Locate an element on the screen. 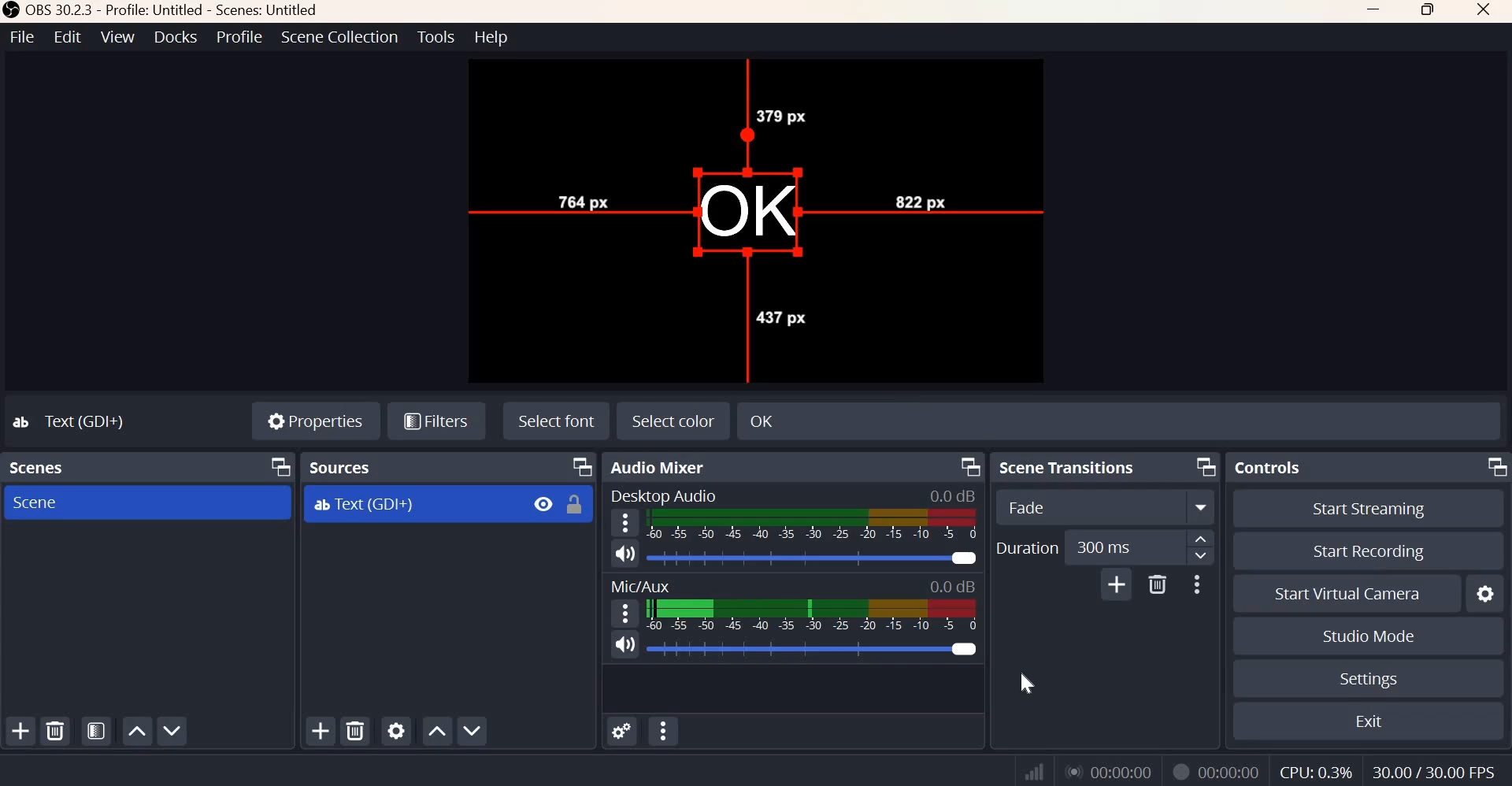 The width and height of the screenshot is (1512, 786). Add scene is located at coordinates (21, 730).